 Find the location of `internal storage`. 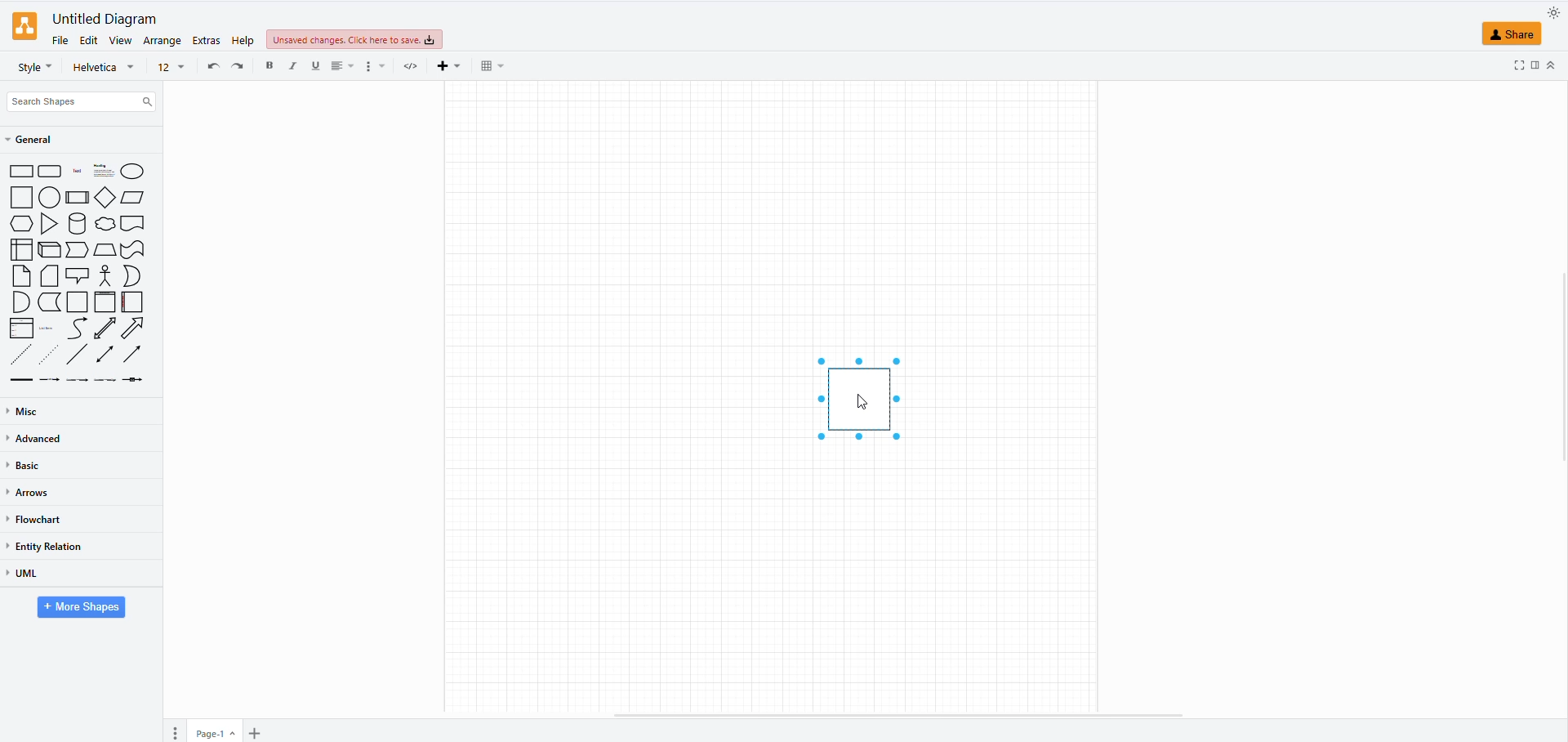

internal storage is located at coordinates (22, 249).